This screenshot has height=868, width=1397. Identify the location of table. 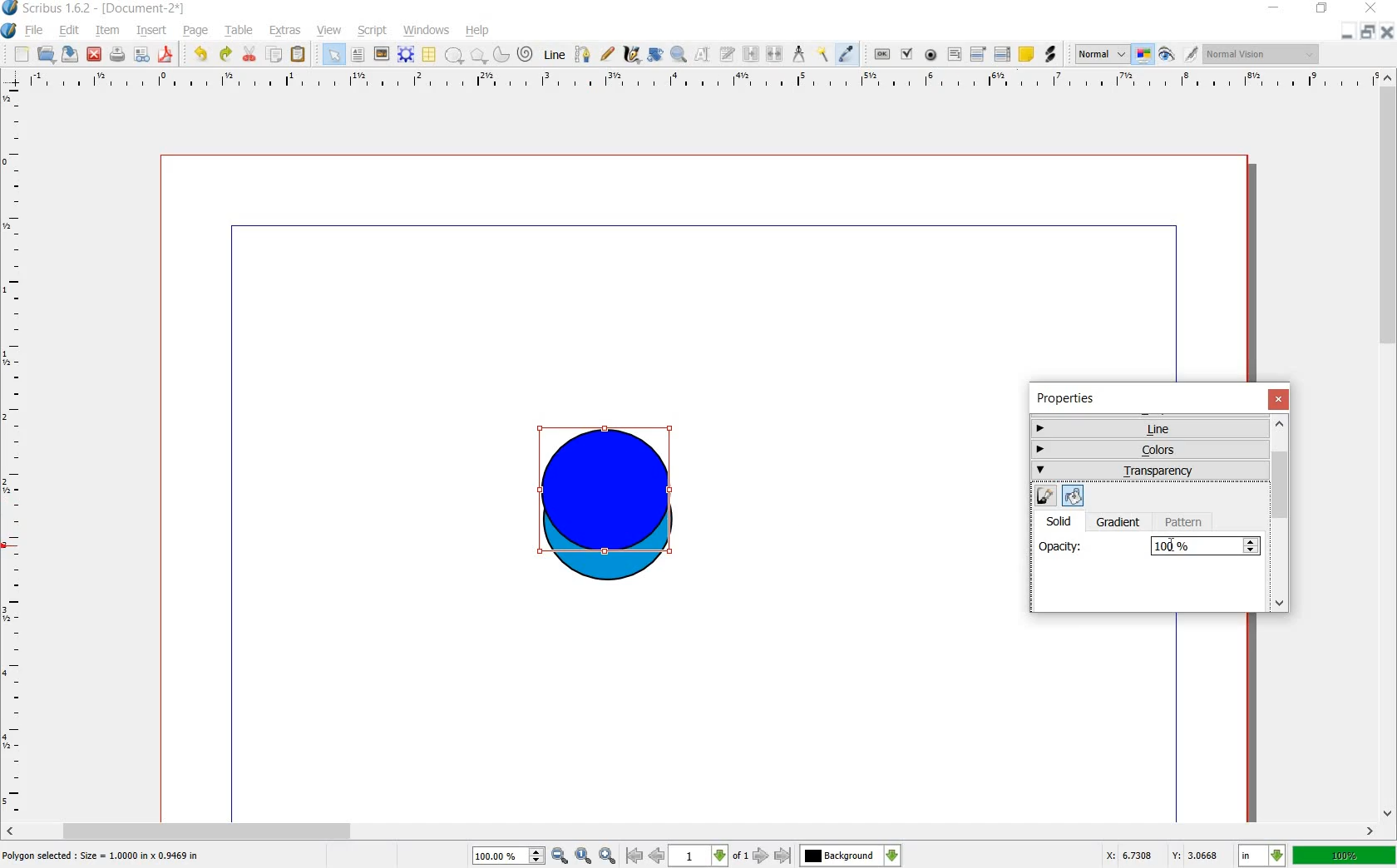
(240, 31).